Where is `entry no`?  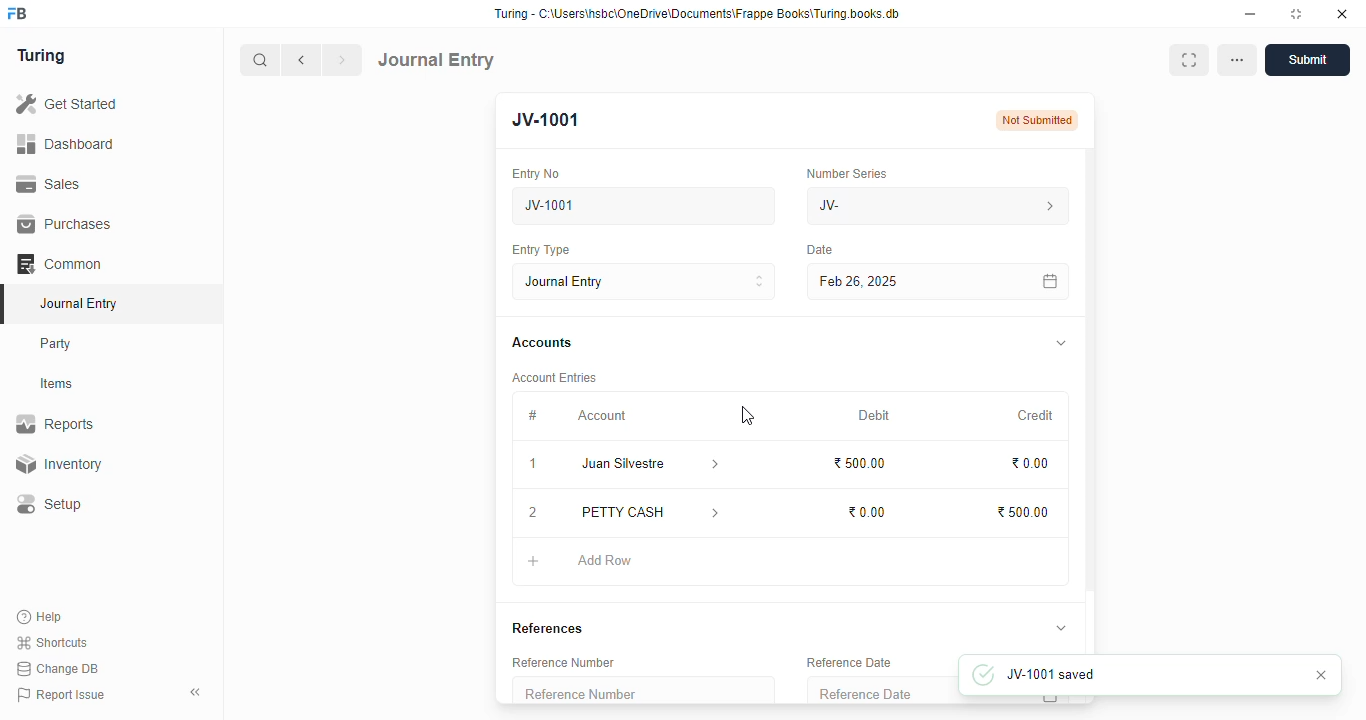 entry no is located at coordinates (537, 174).